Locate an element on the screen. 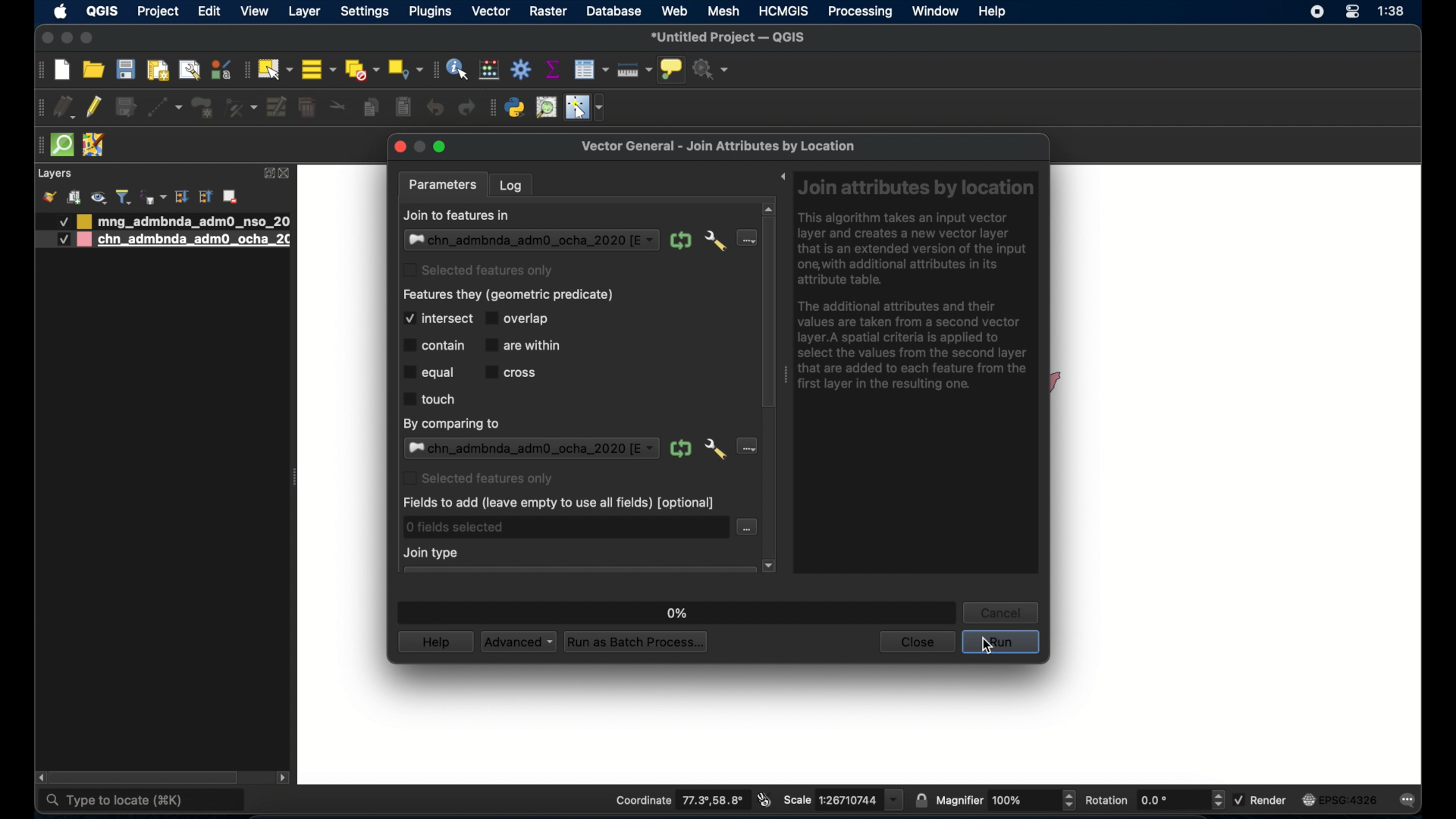 The width and height of the screenshot is (1456, 819). join features in is located at coordinates (457, 215).